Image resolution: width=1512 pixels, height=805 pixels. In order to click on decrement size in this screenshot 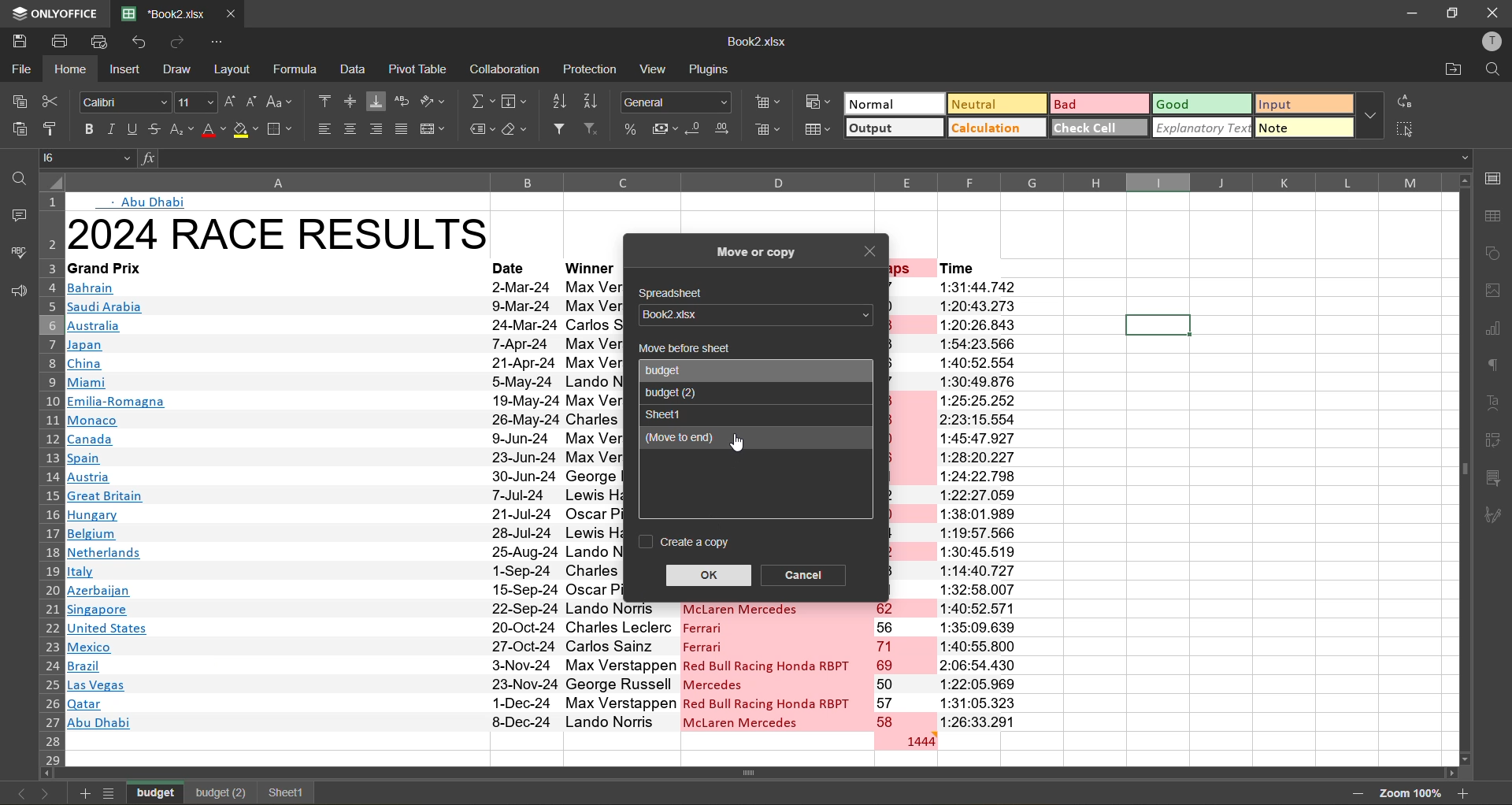, I will do `click(254, 102)`.